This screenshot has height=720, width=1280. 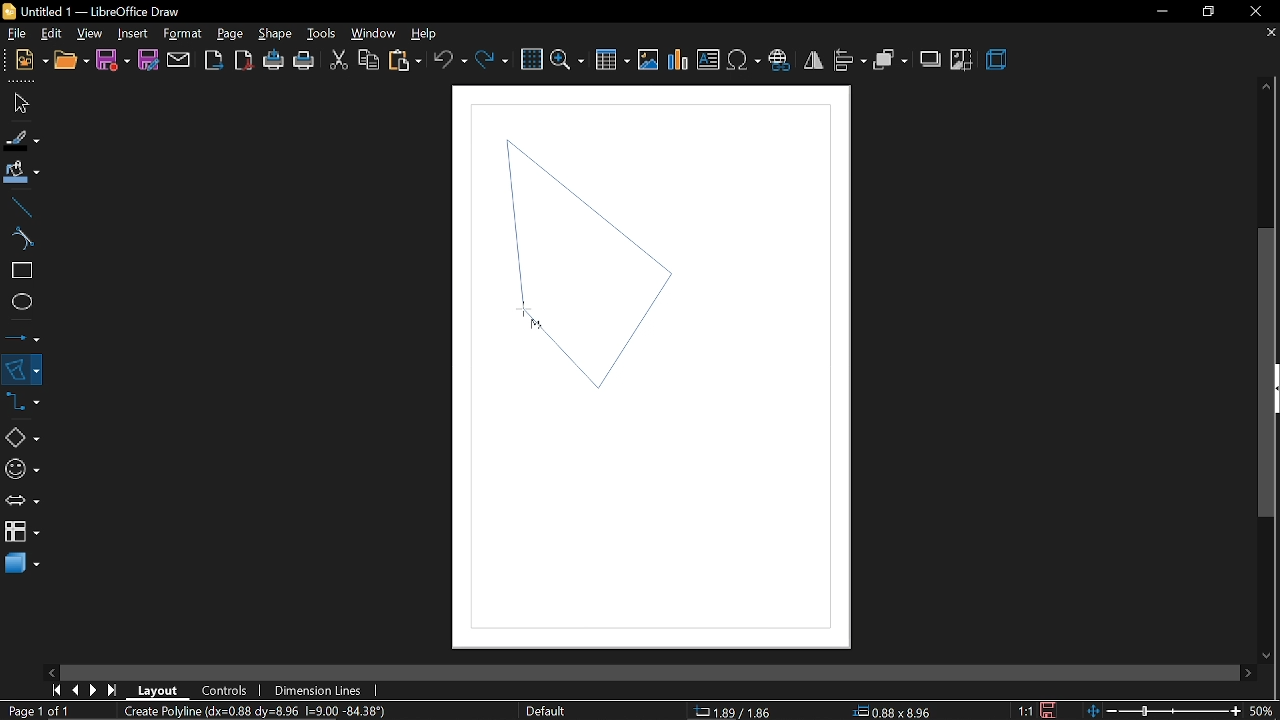 I want to click on shape, so click(x=275, y=37).